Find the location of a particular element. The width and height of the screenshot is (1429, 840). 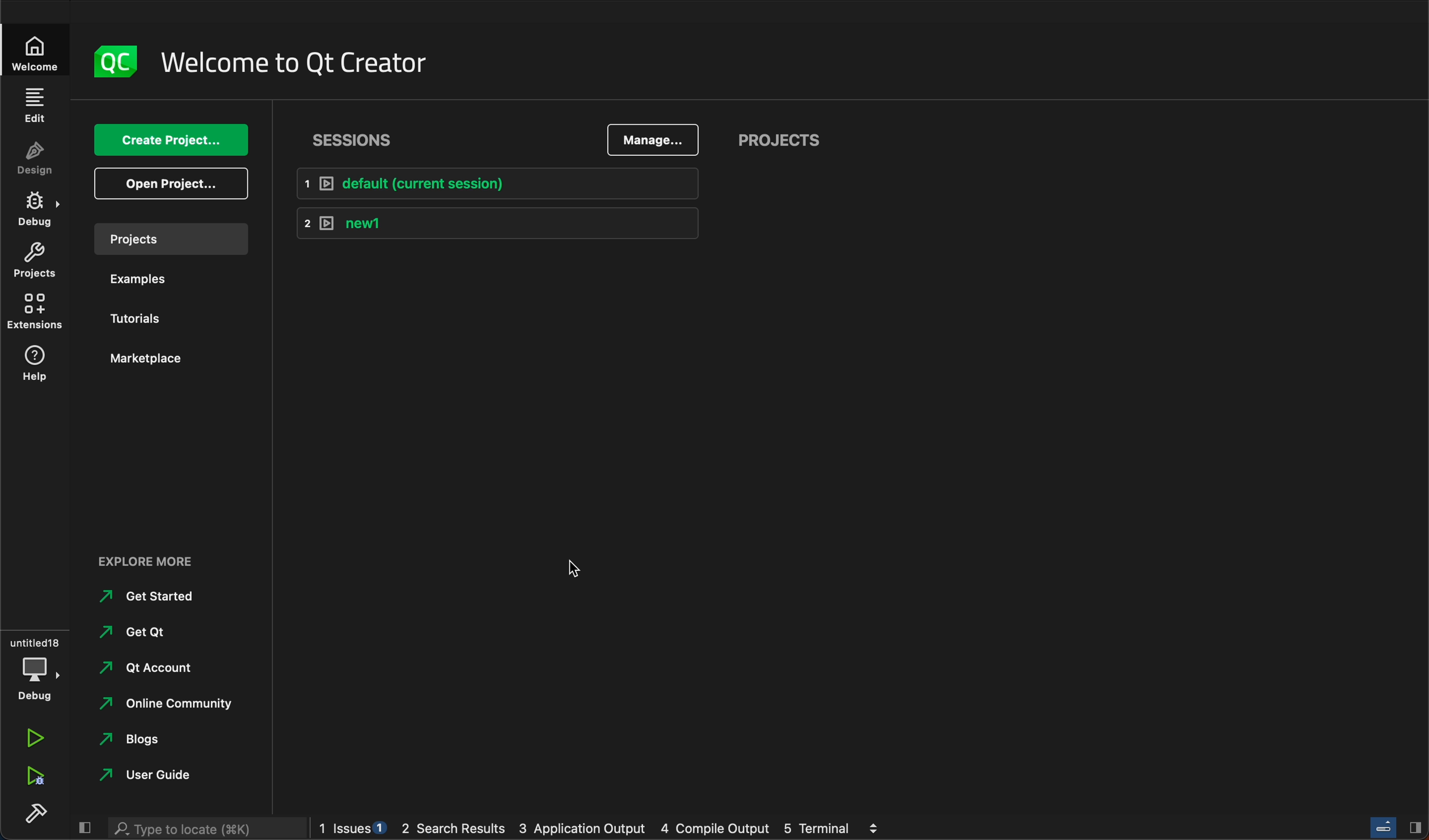

account is located at coordinates (162, 668).